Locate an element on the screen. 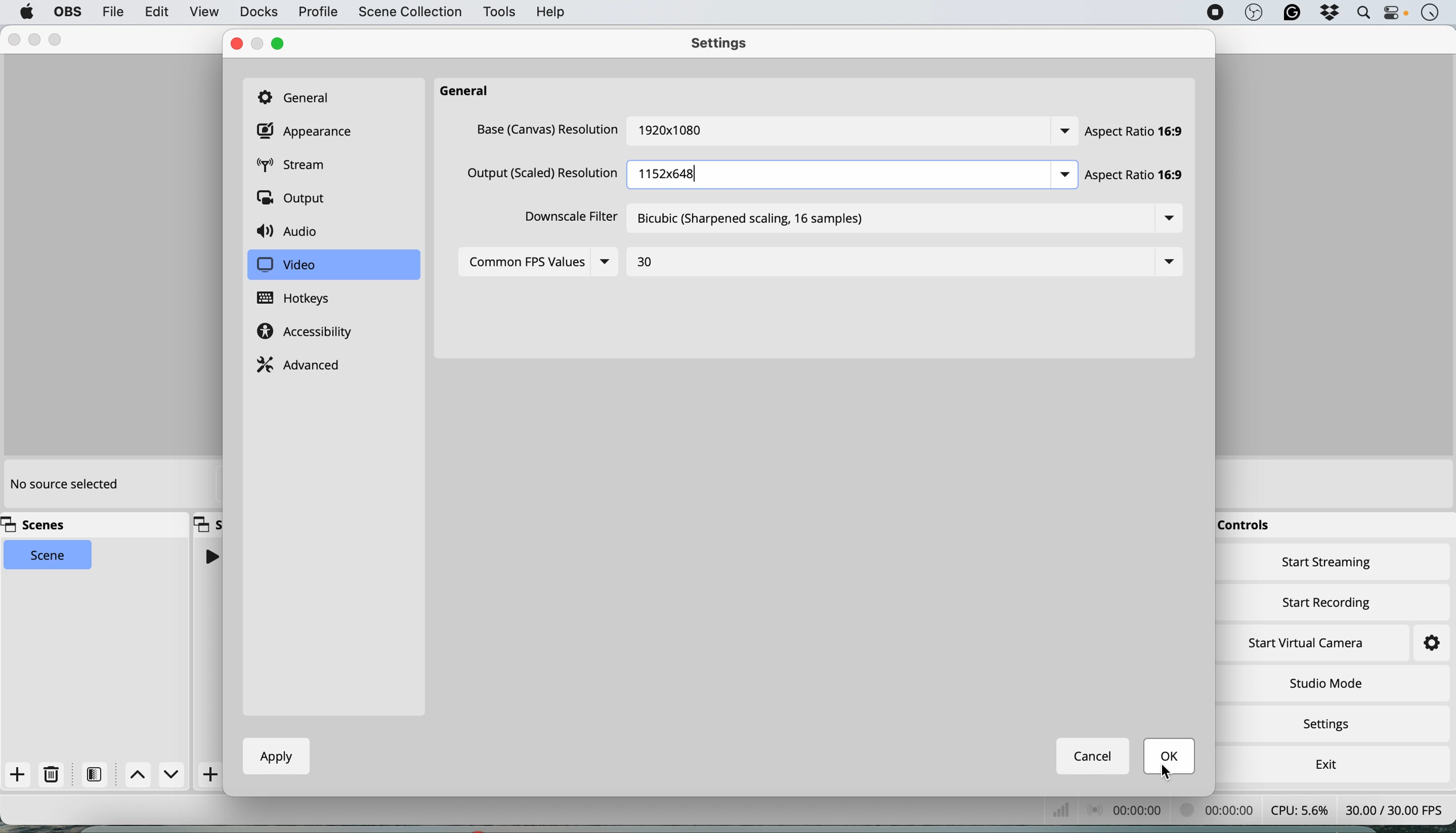  studio mode is located at coordinates (1325, 683).